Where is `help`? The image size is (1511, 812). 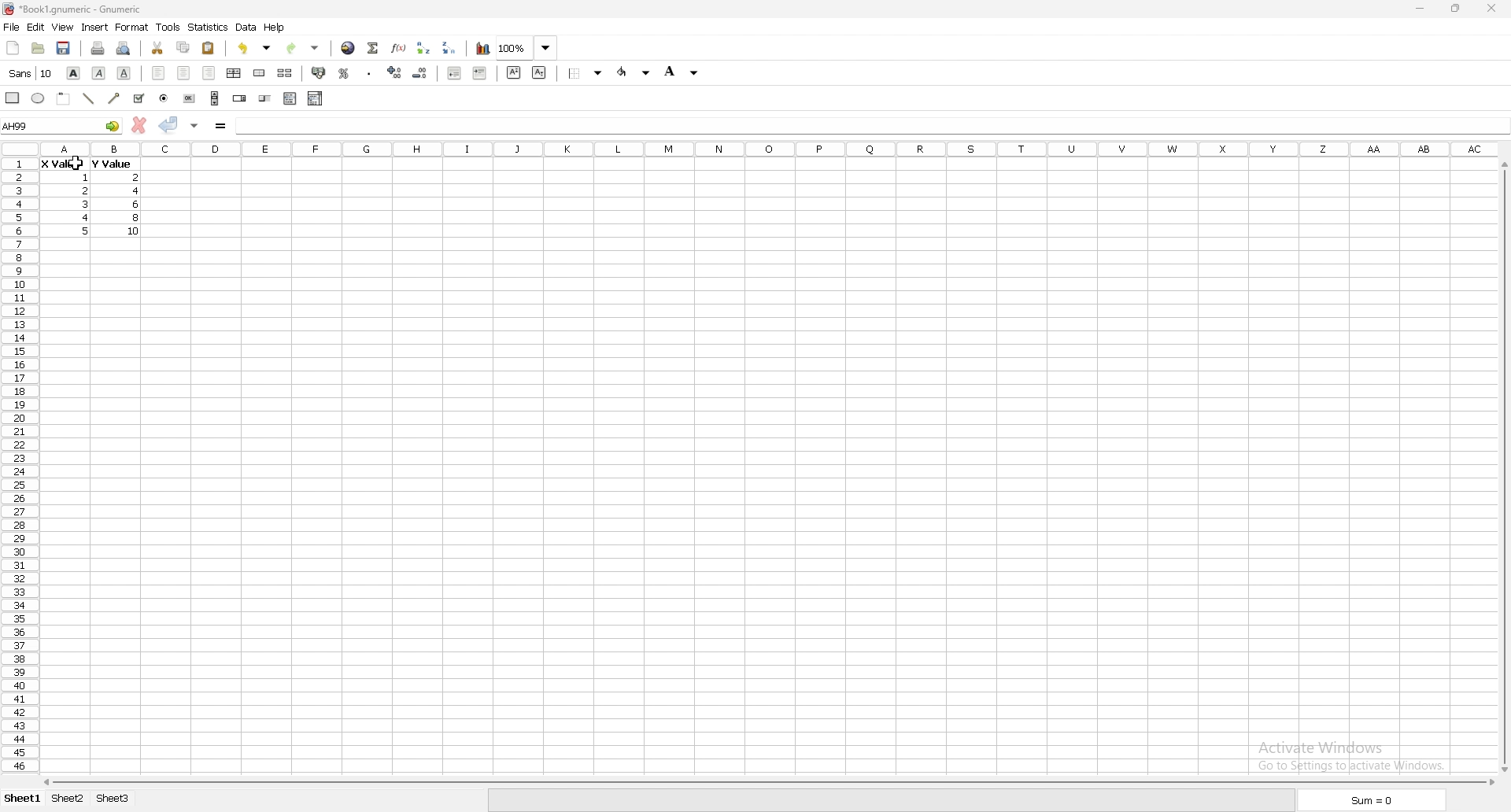 help is located at coordinates (275, 27).